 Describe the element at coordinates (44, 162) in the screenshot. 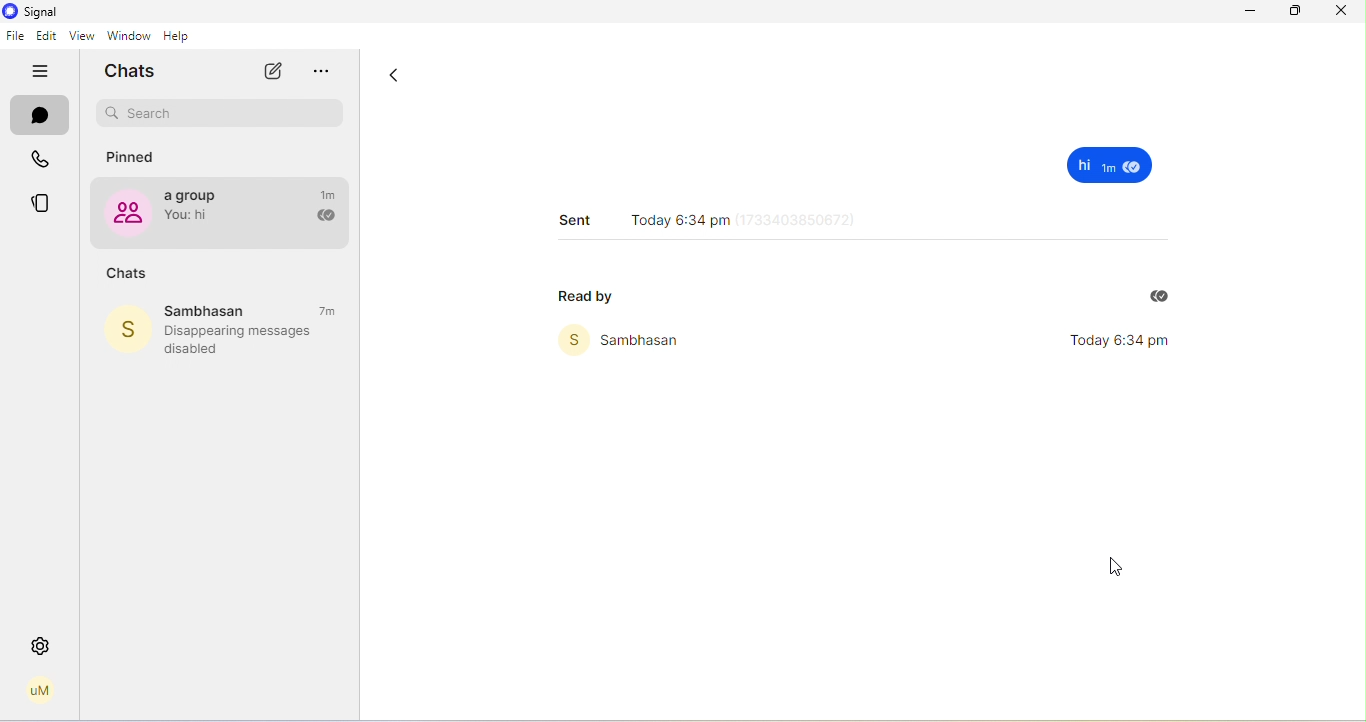

I see `calls` at that location.